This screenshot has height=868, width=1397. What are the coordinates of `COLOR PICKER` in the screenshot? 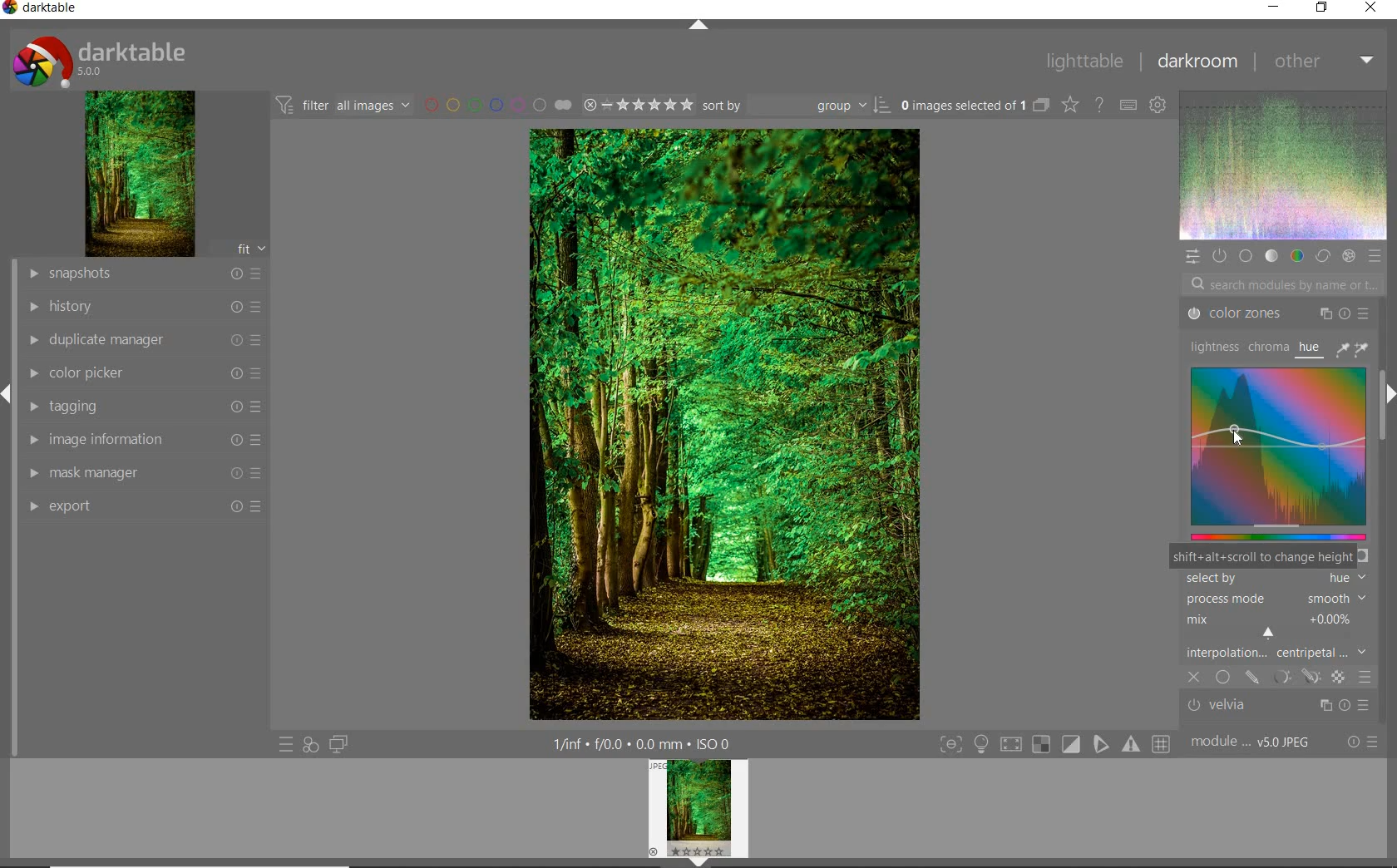 It's located at (141, 373).